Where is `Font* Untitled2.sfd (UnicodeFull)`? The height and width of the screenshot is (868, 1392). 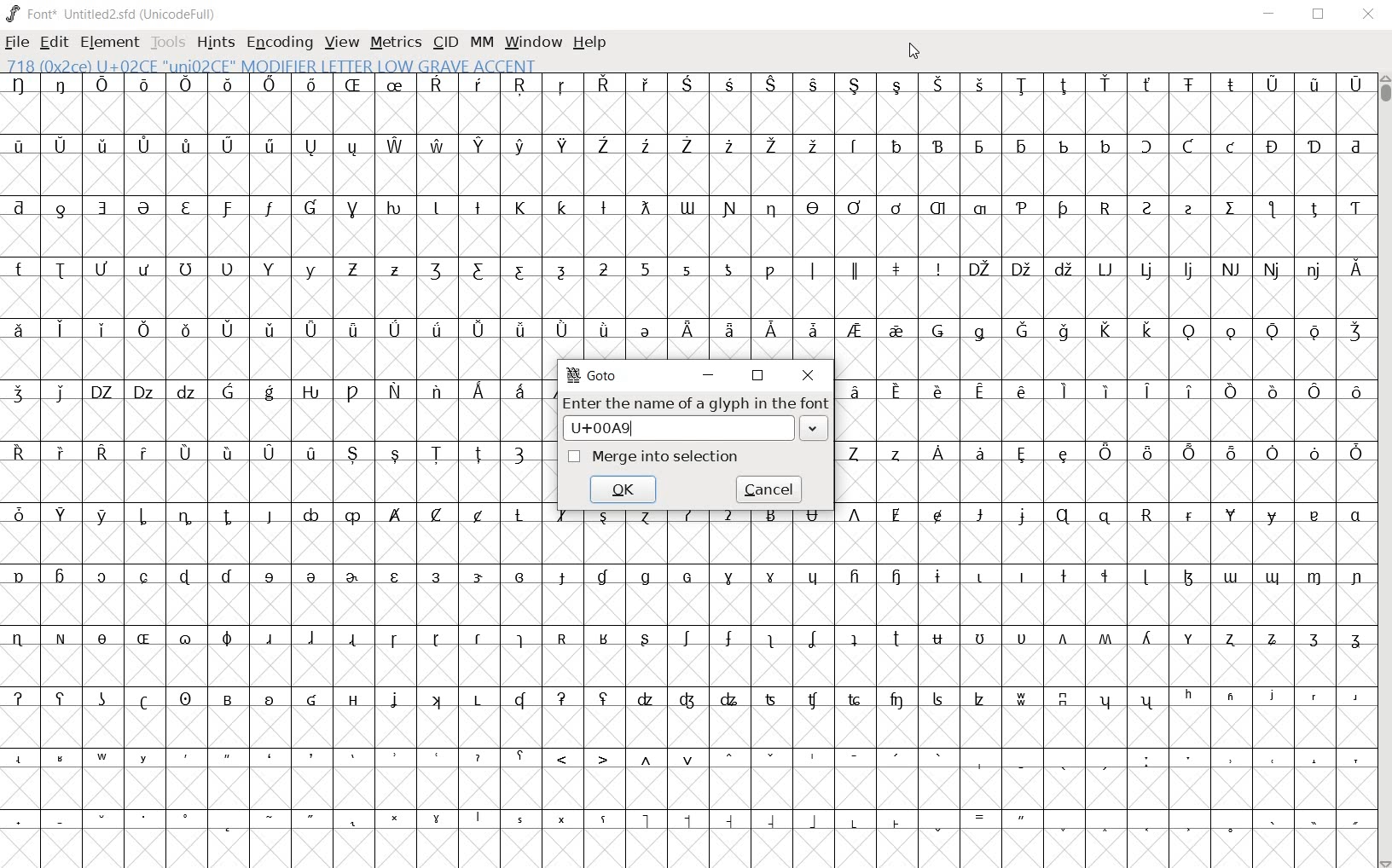
Font* Untitled2.sfd (UnicodeFull) is located at coordinates (113, 14).